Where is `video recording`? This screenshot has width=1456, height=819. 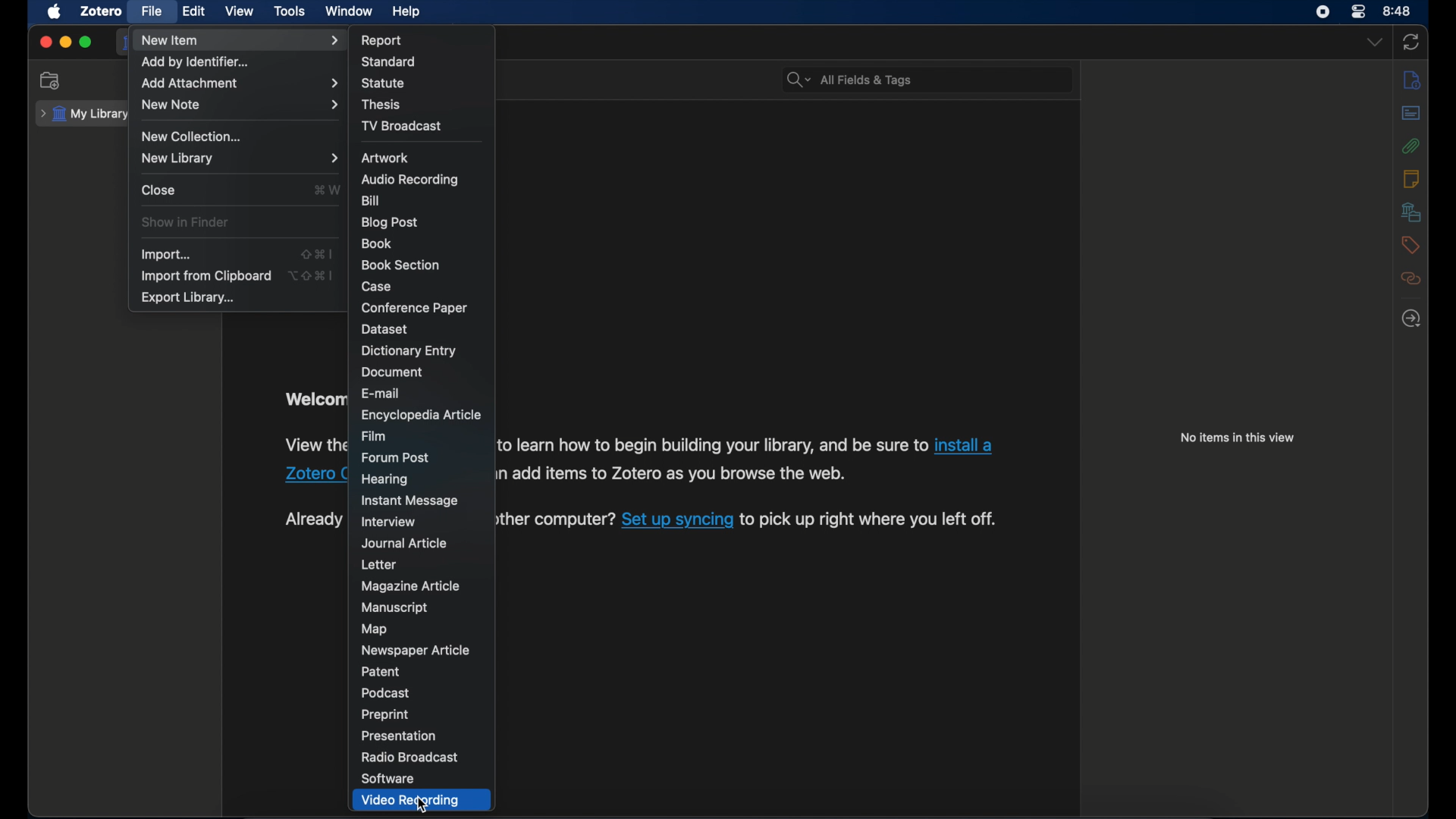 video recording is located at coordinates (413, 800).